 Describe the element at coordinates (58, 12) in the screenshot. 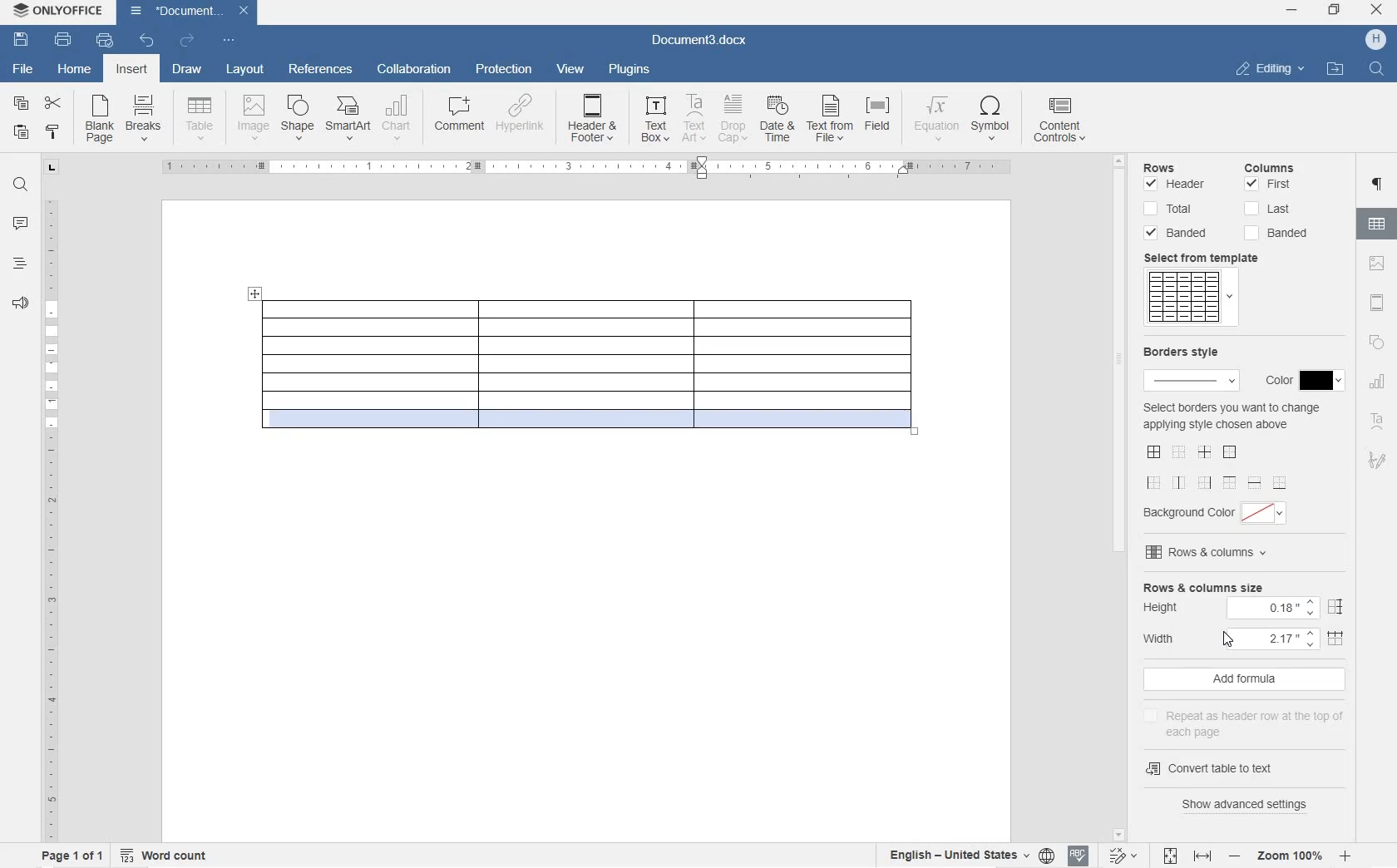

I see `ONLYOFFICE` at that location.